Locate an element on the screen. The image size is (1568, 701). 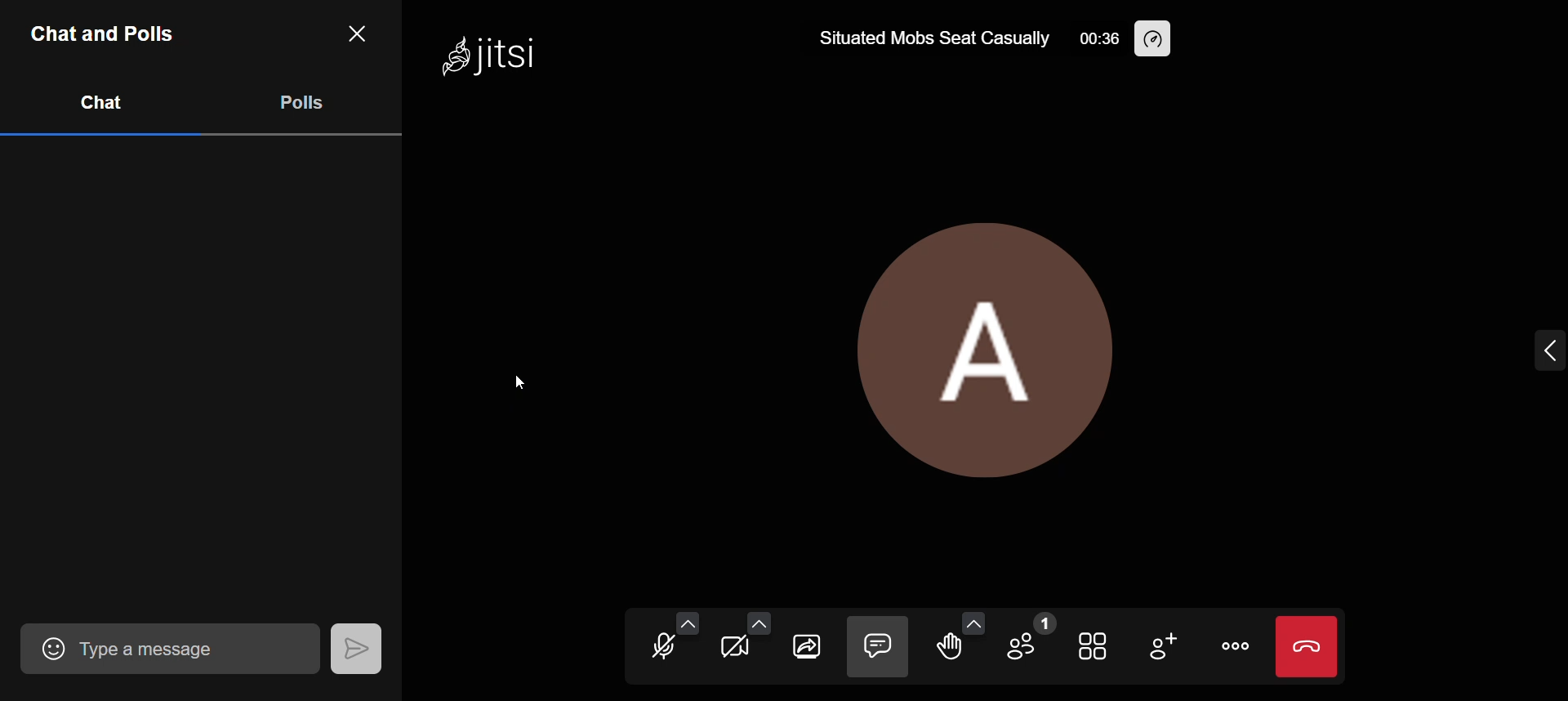
00:36 is located at coordinates (1100, 38).